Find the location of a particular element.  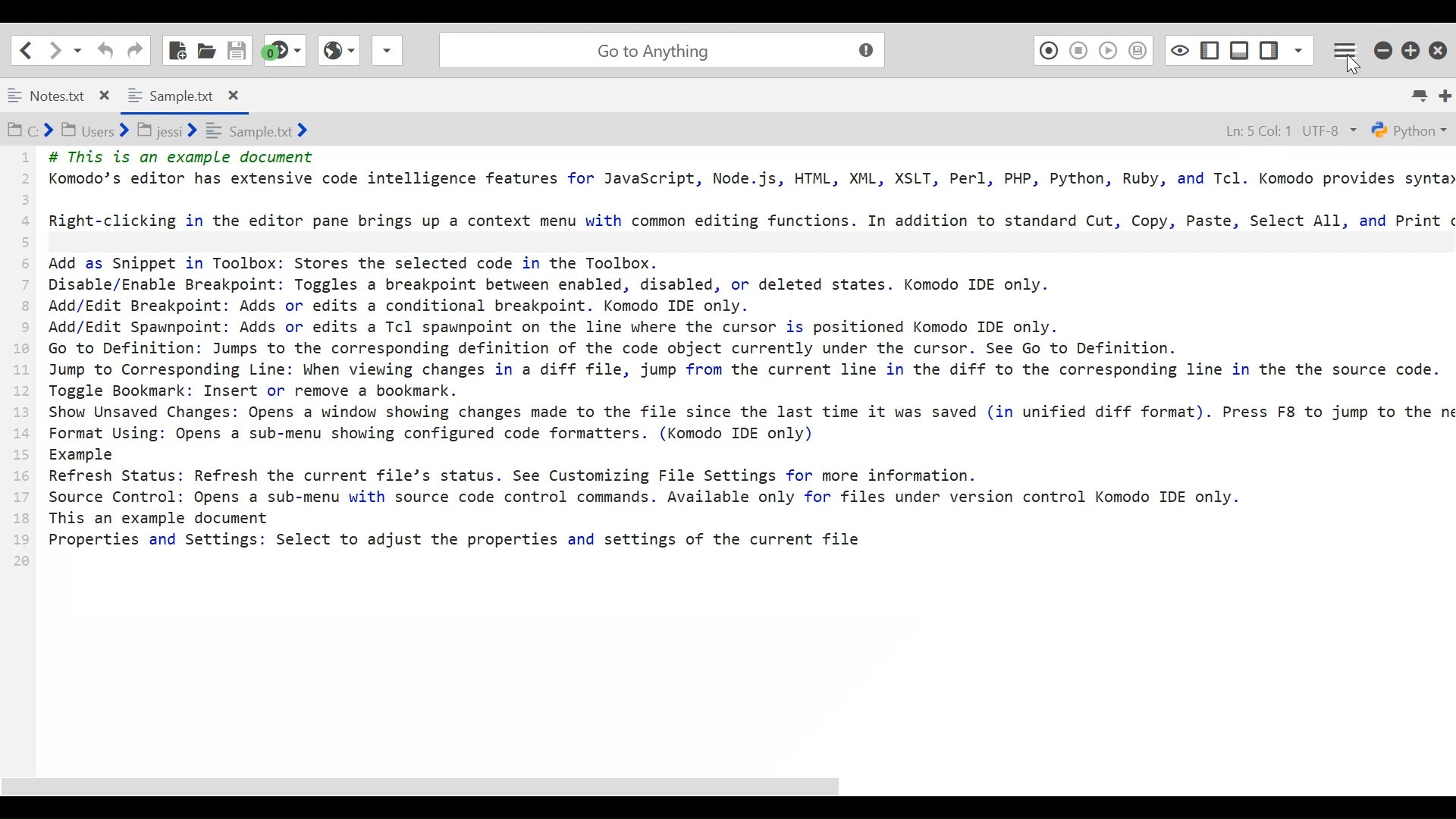

Click to go forward one location is located at coordinates (55, 50).